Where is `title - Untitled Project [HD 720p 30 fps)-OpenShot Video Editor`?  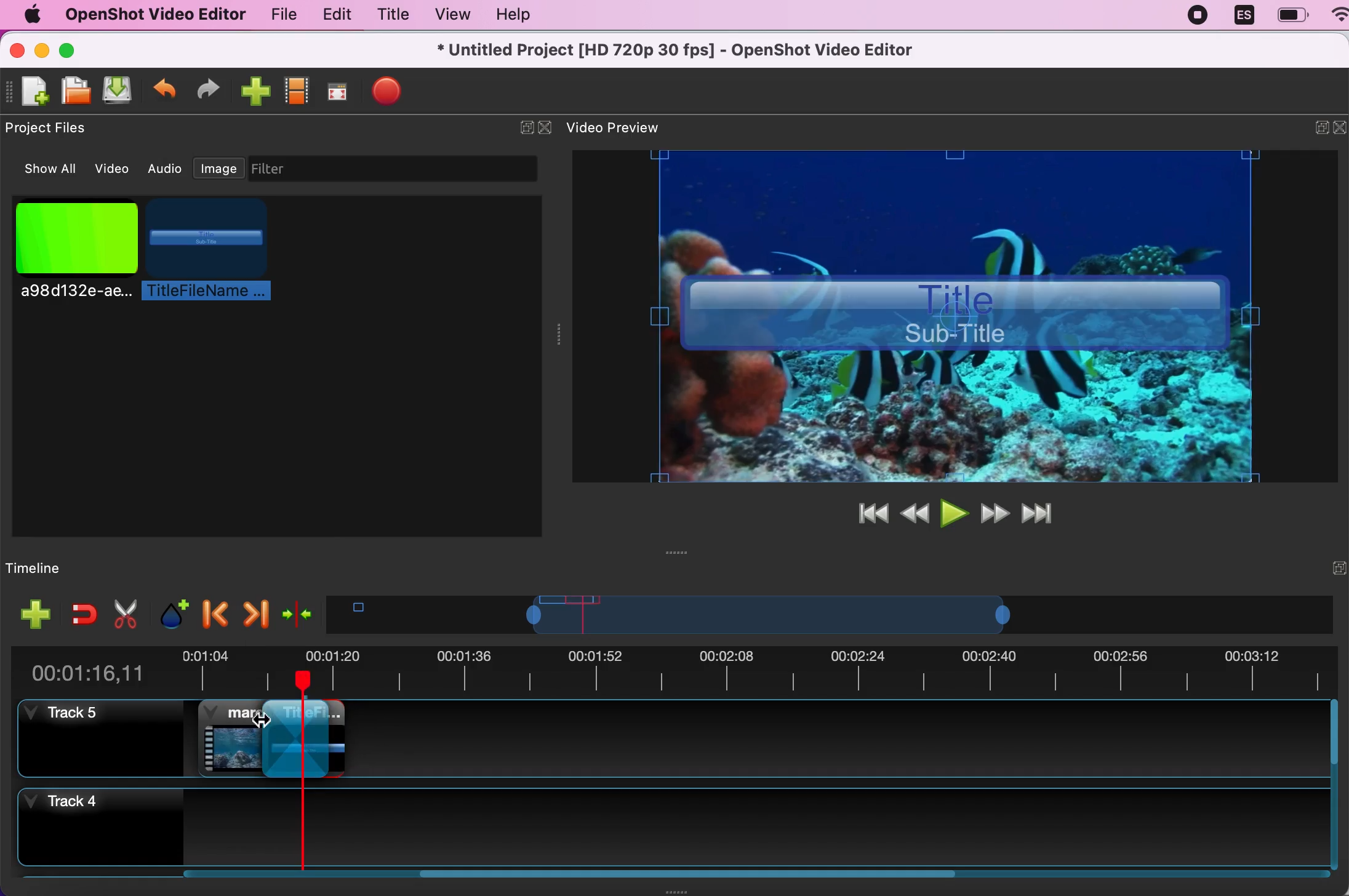
title - Untitled Project [HD 720p 30 fps)-OpenShot Video Editor is located at coordinates (677, 51).